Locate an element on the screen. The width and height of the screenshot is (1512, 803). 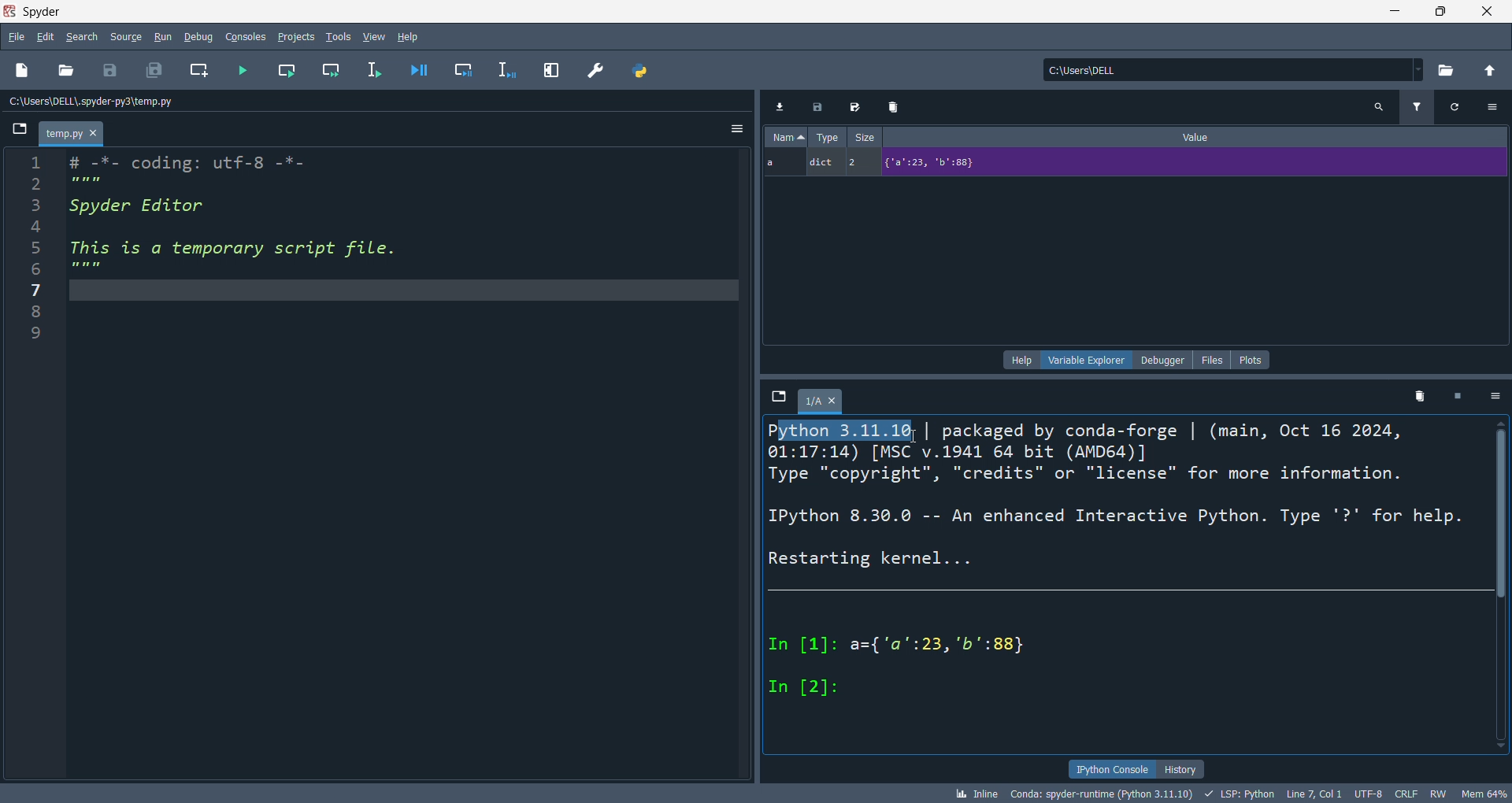
run cell and move is located at coordinates (335, 68).